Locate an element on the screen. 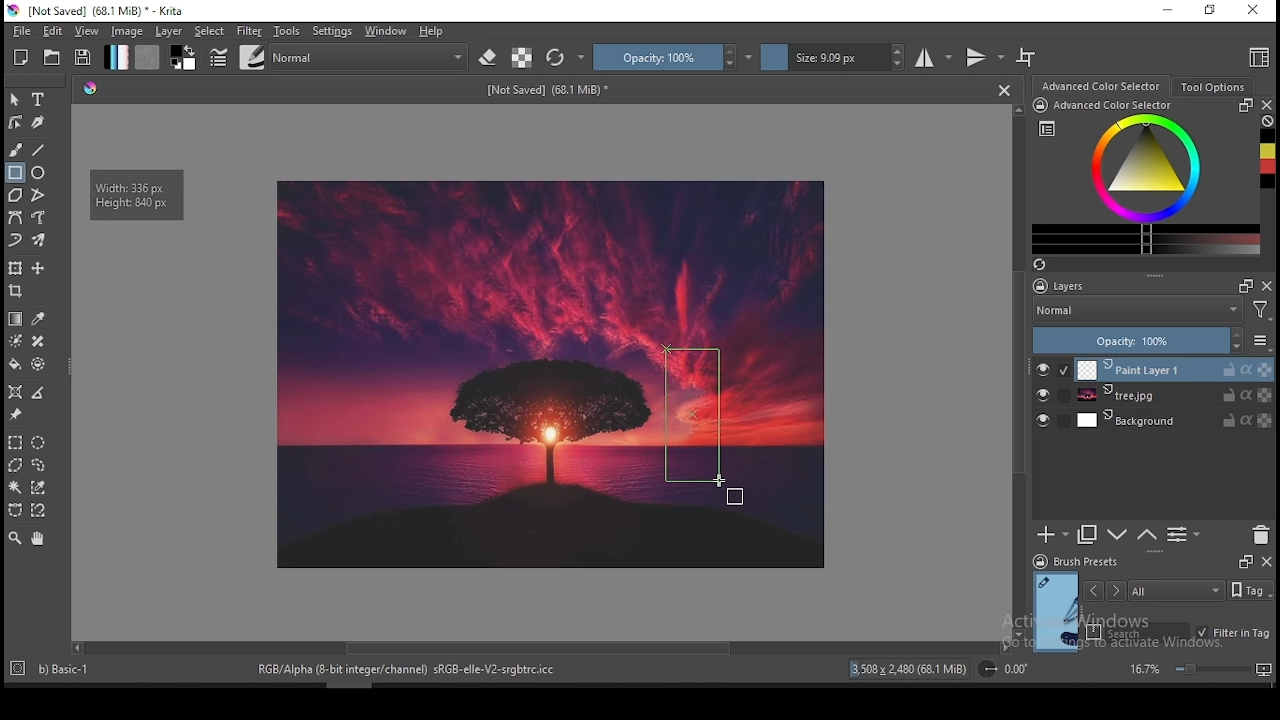  ellipse tool is located at coordinates (39, 173).